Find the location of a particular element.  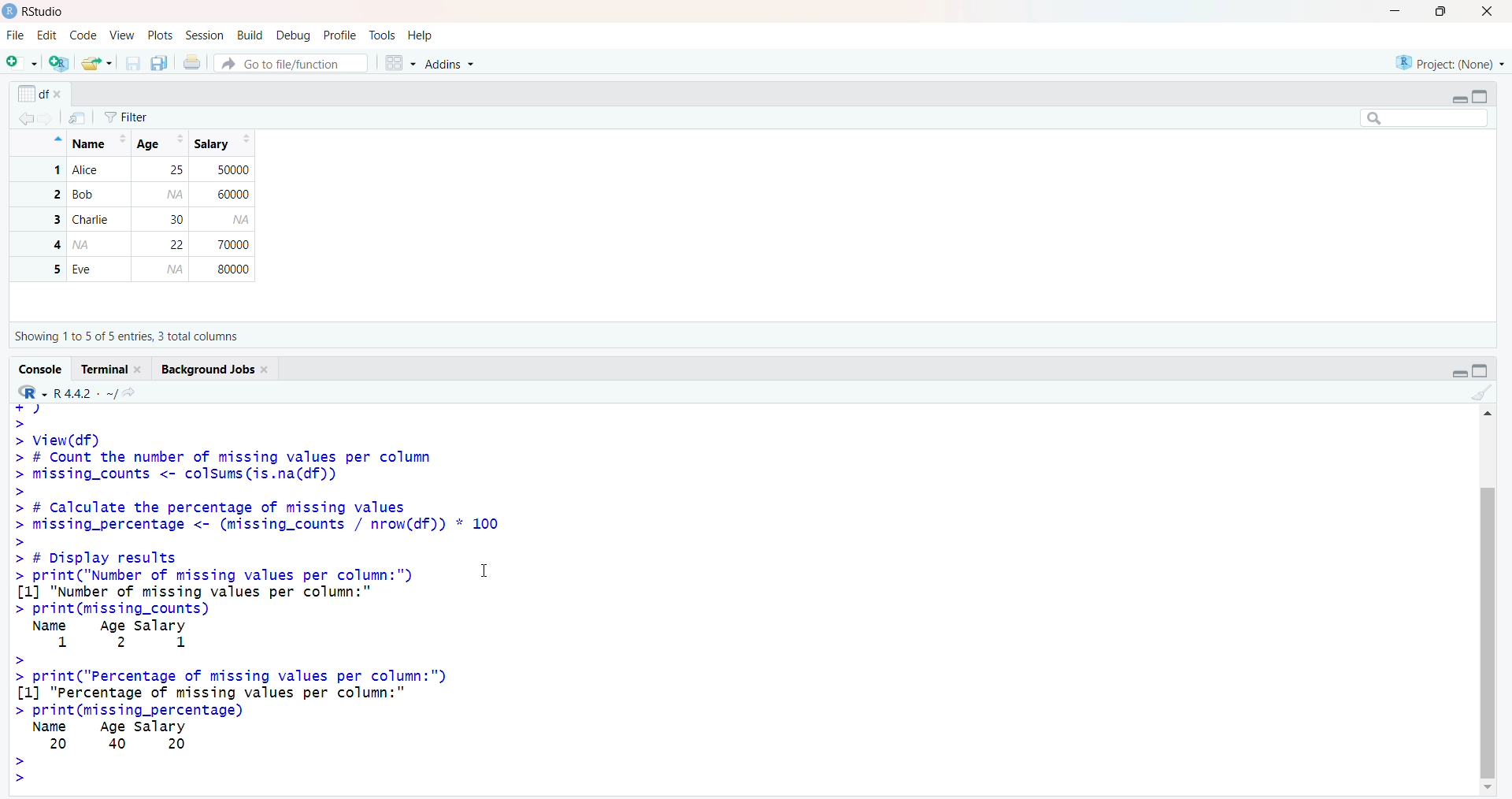

Down is located at coordinates (1488, 788).